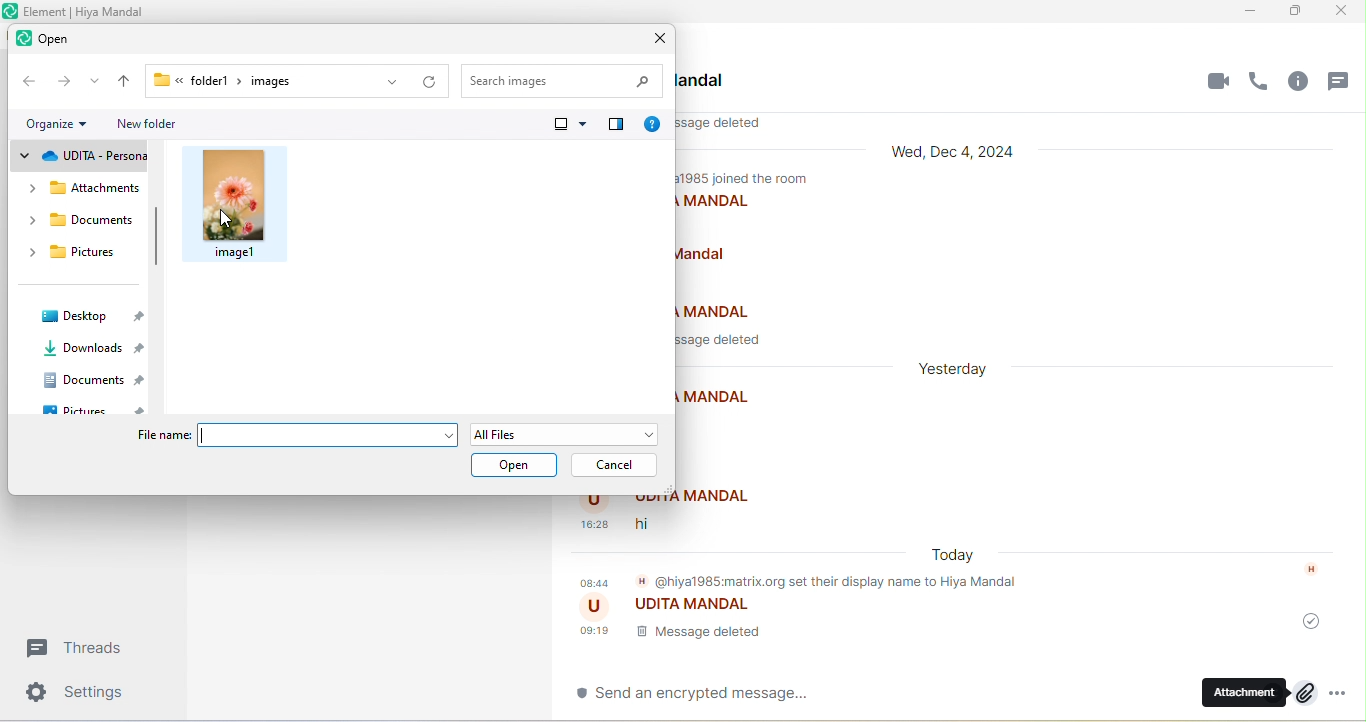 The image size is (1366, 722). What do you see at coordinates (72, 257) in the screenshot?
I see `pictures` at bounding box center [72, 257].